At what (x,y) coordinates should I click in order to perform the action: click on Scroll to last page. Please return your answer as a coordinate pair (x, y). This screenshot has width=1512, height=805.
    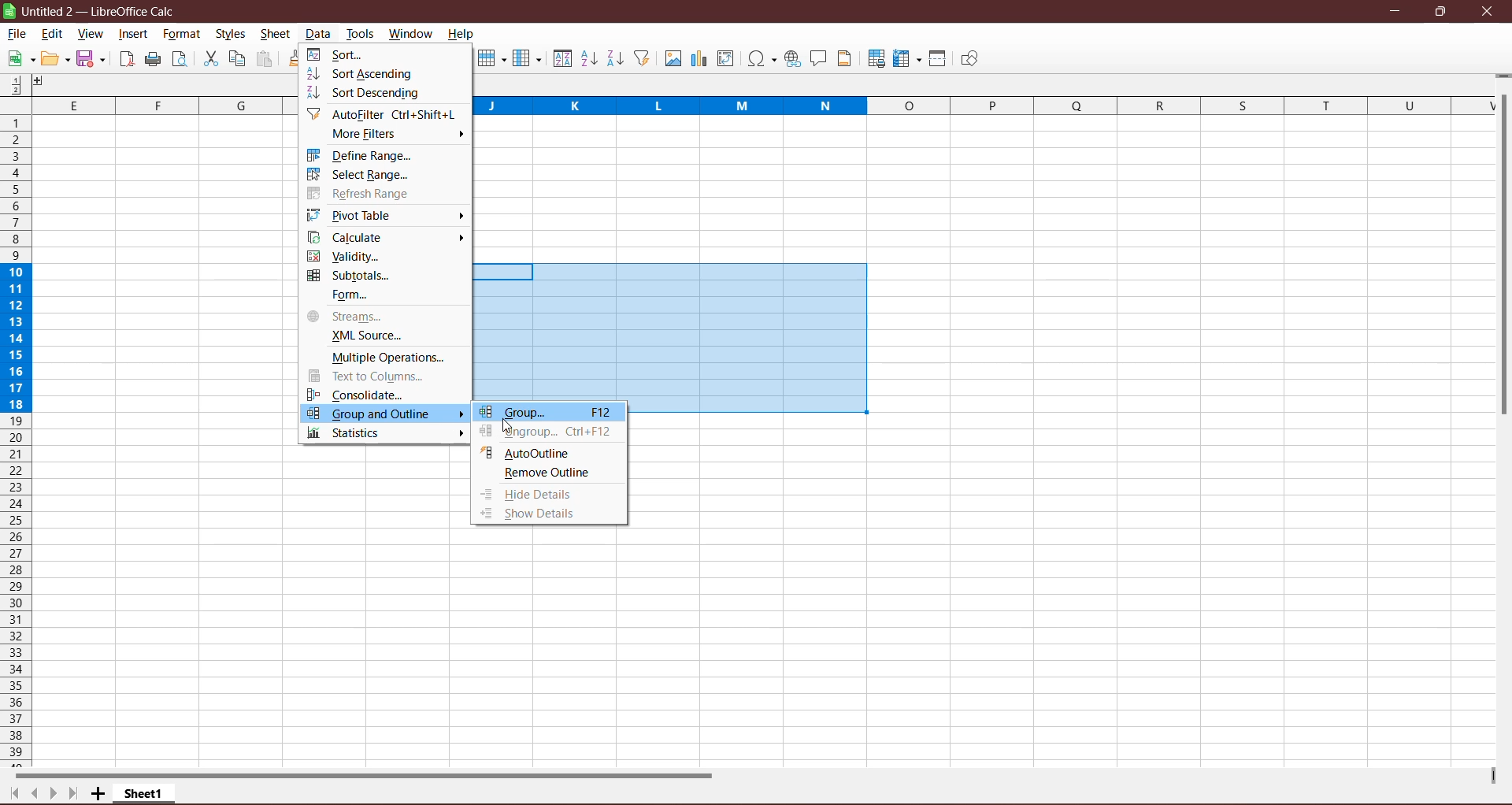
    Looking at the image, I should click on (72, 795).